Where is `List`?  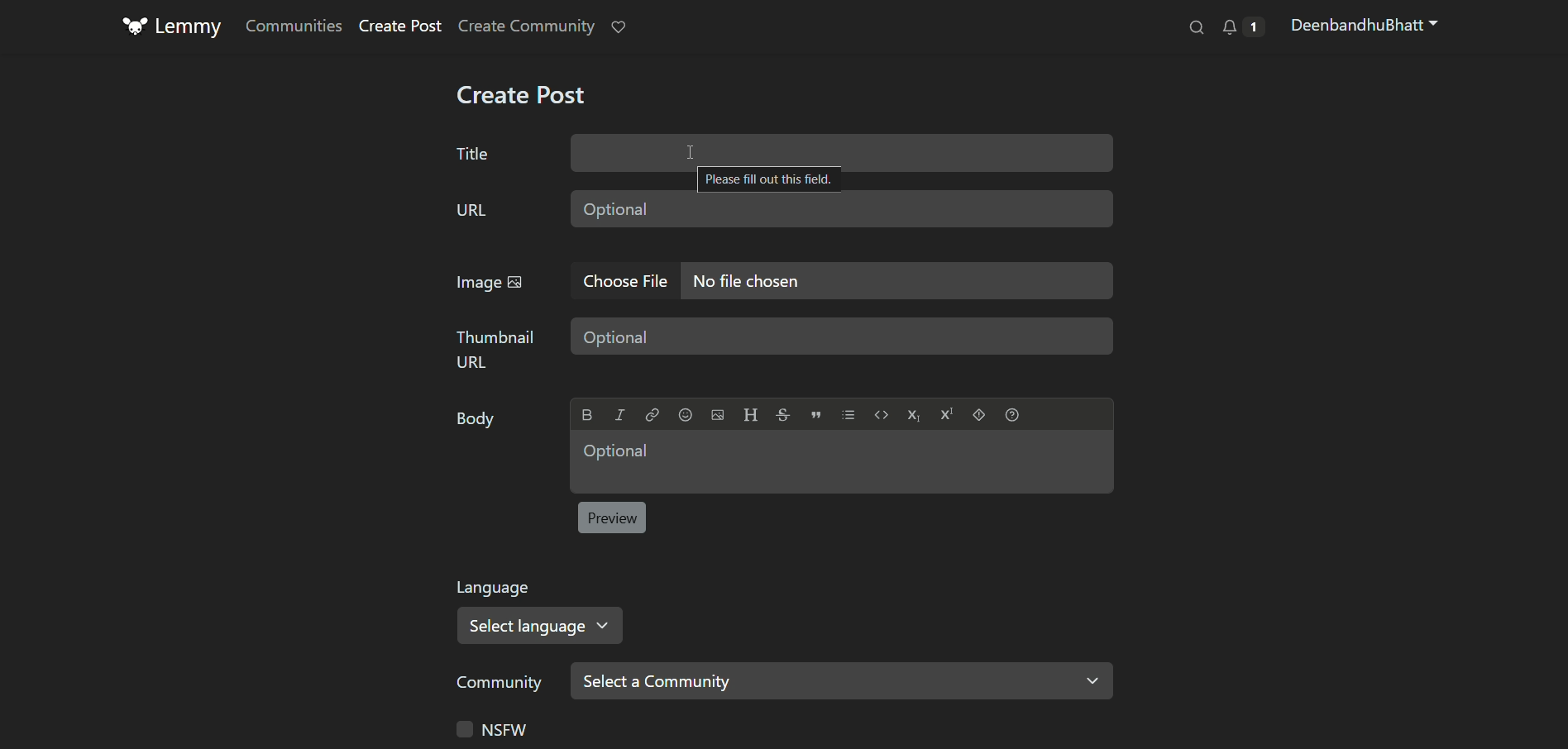 List is located at coordinates (849, 414).